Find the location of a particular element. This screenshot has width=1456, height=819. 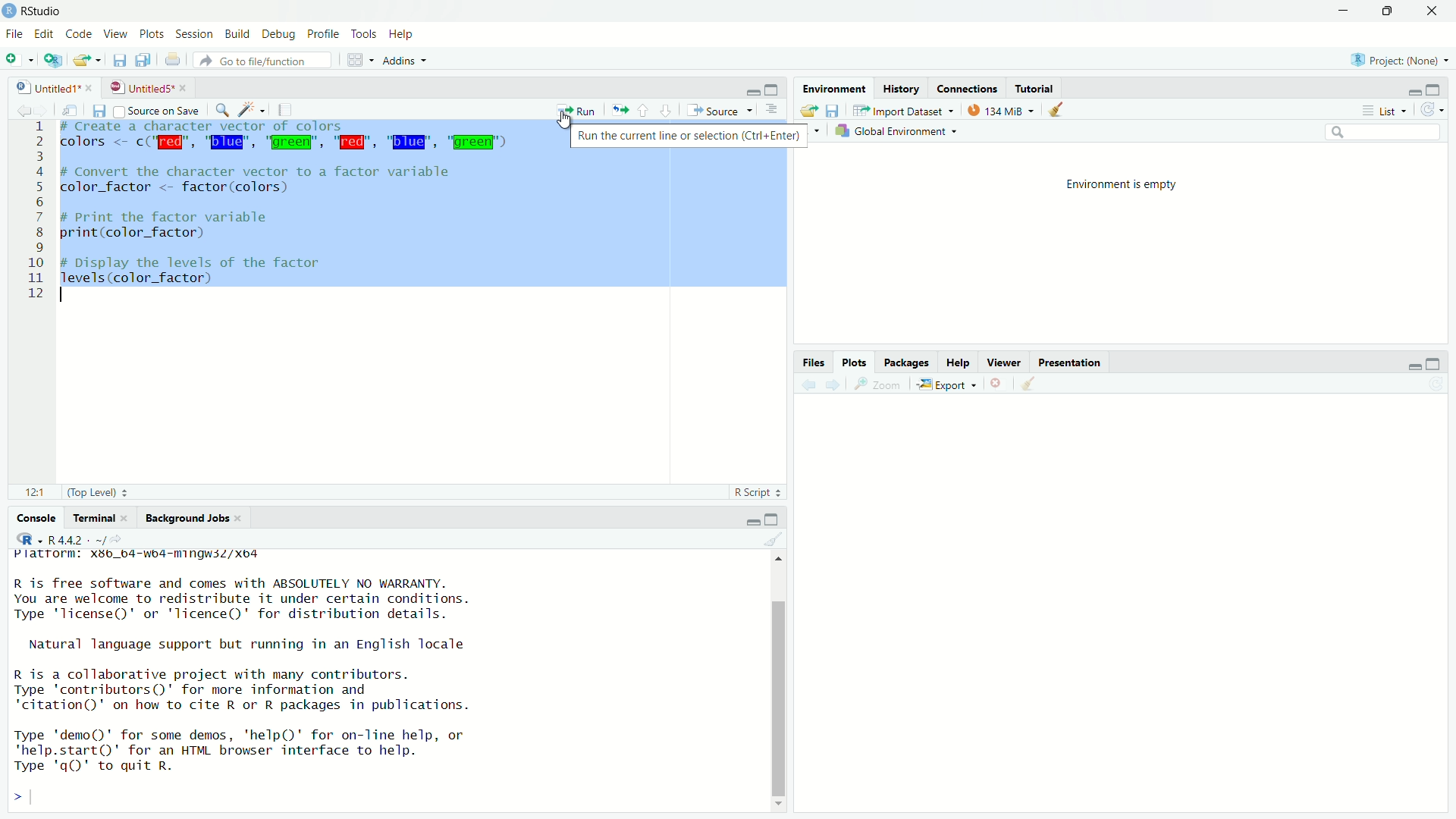

create a project is located at coordinates (57, 60).